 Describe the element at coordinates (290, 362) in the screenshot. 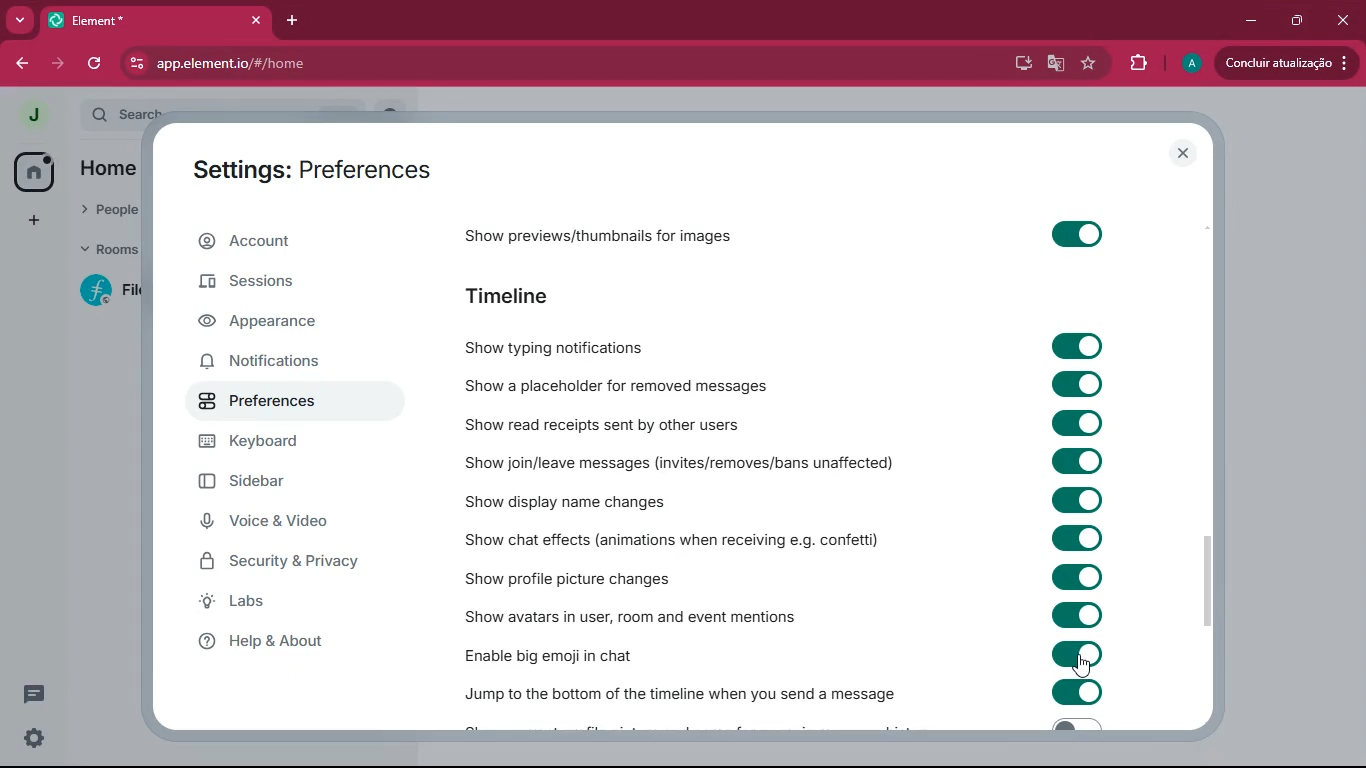

I see `notifications` at that location.